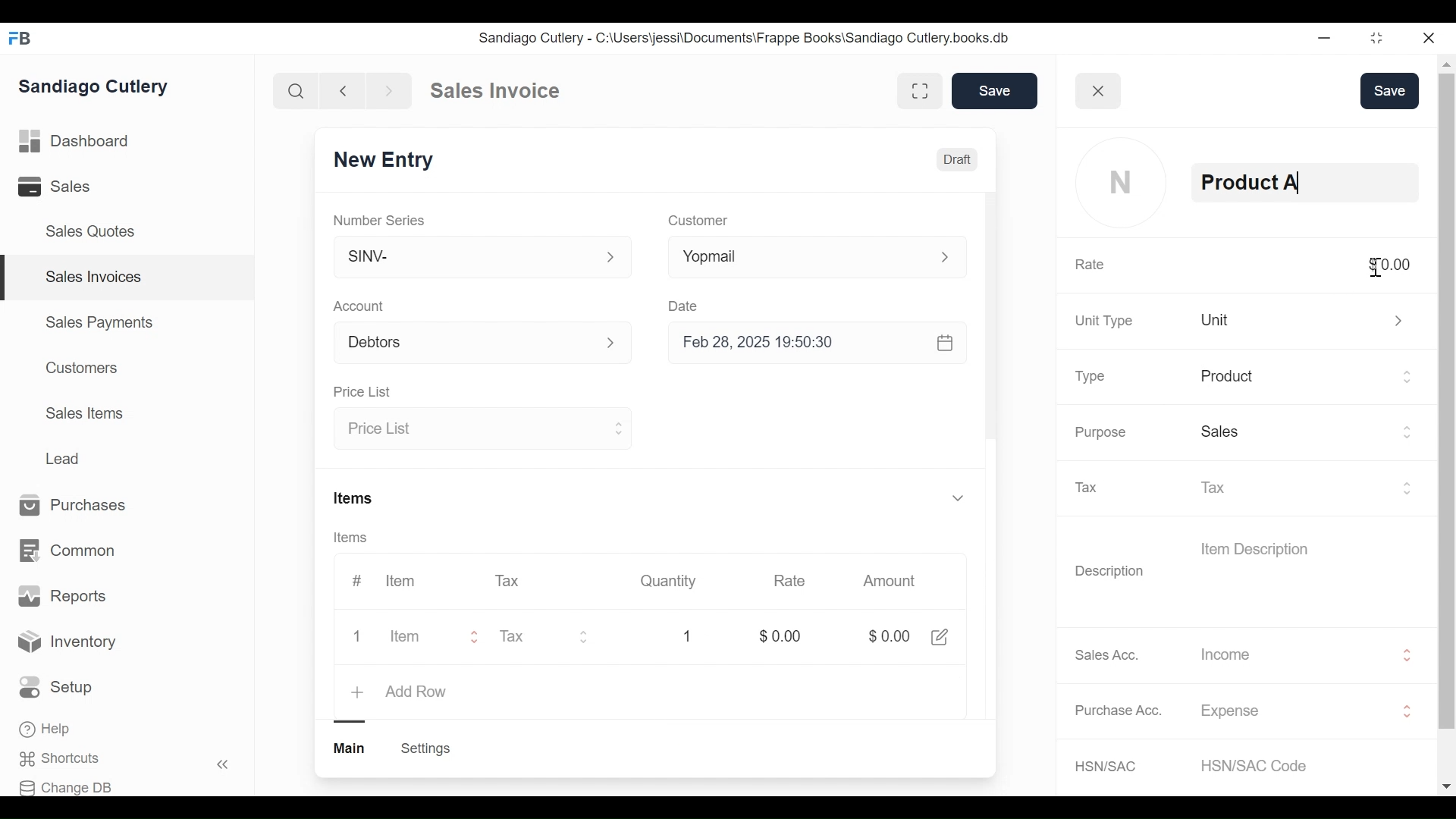 This screenshot has width=1456, height=819. Describe the element at coordinates (886, 636) in the screenshot. I see `$0.00` at that location.